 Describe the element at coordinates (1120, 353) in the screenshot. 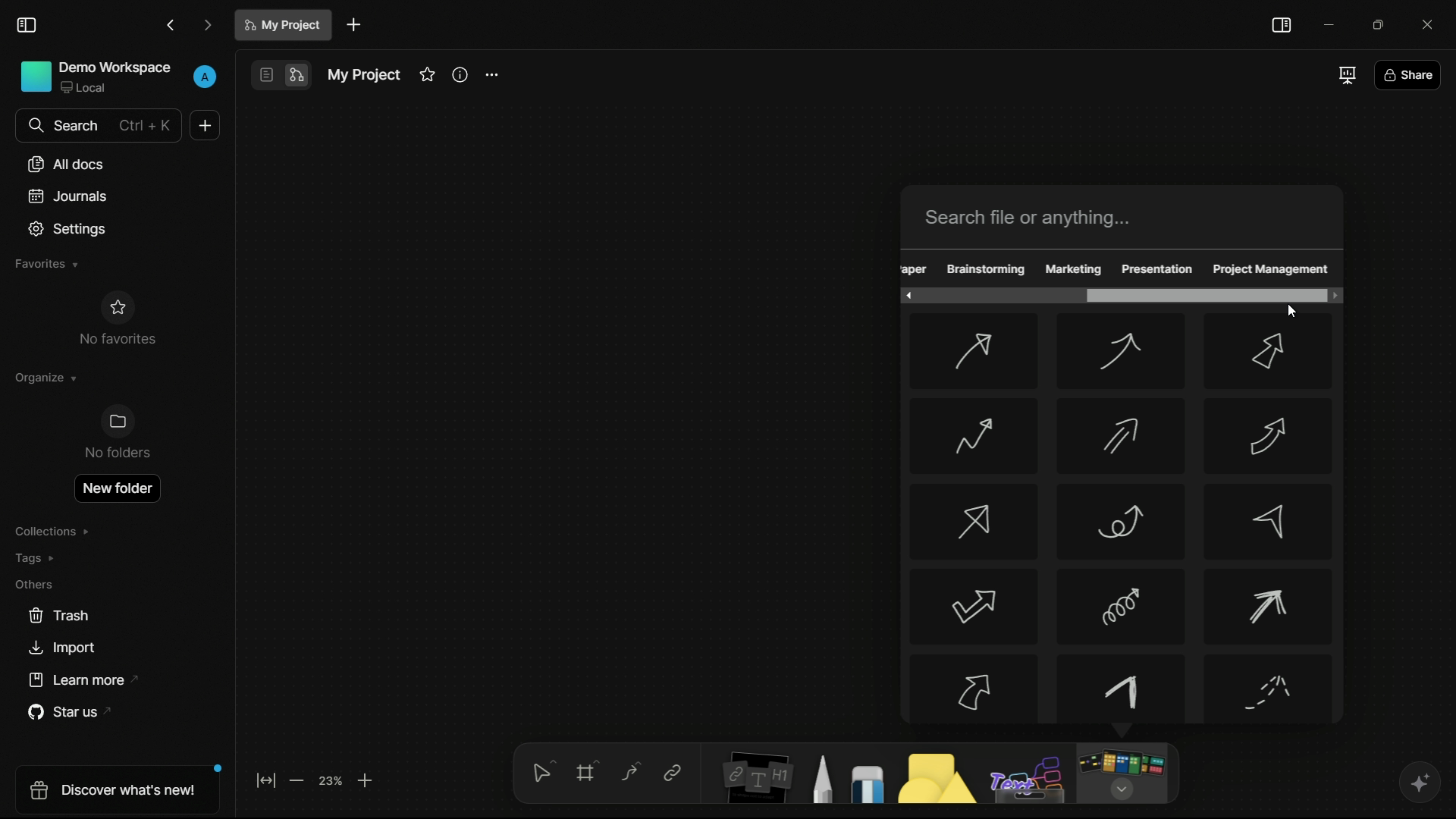

I see `arrow-2` at that location.